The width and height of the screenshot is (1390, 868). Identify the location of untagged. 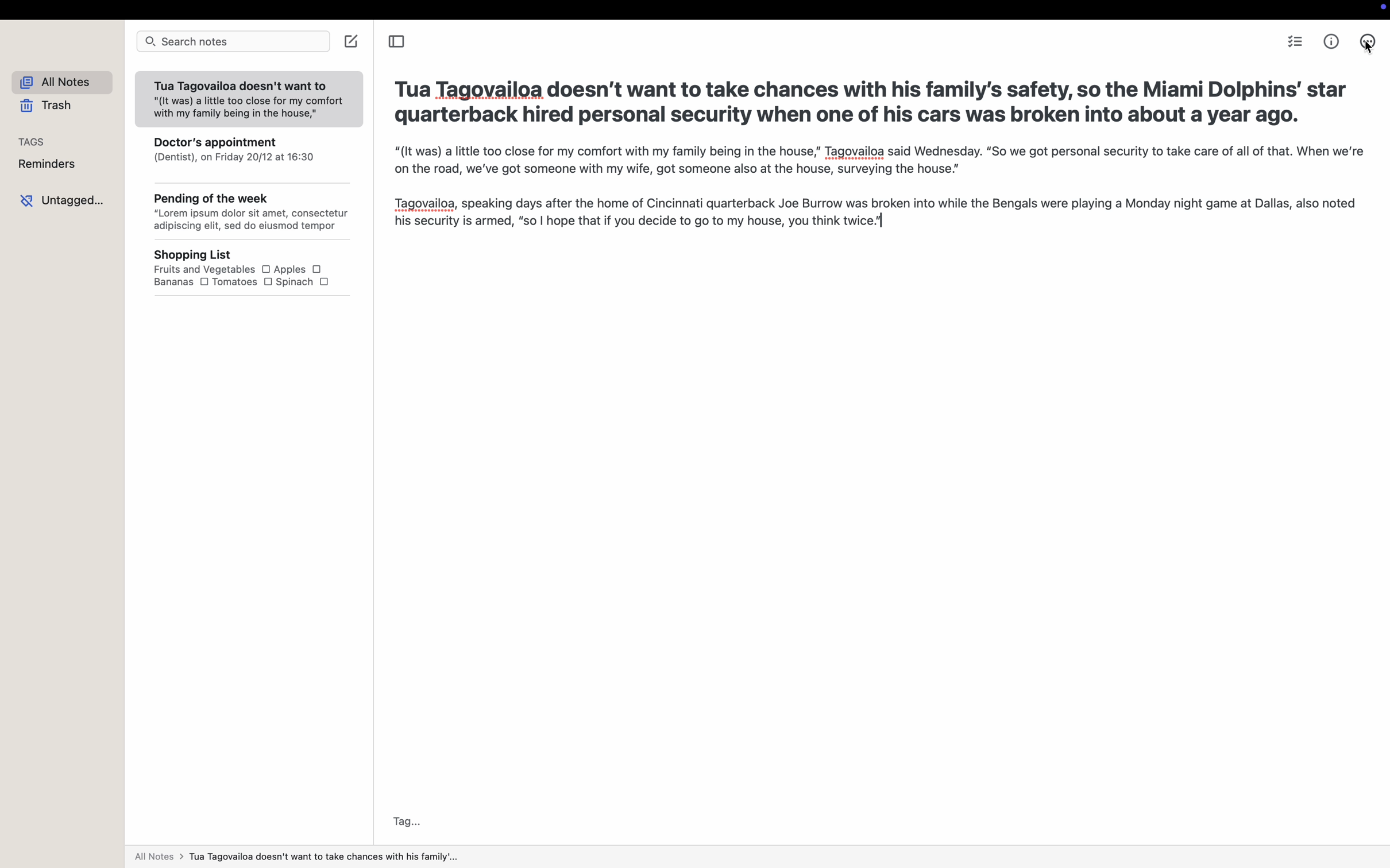
(65, 199).